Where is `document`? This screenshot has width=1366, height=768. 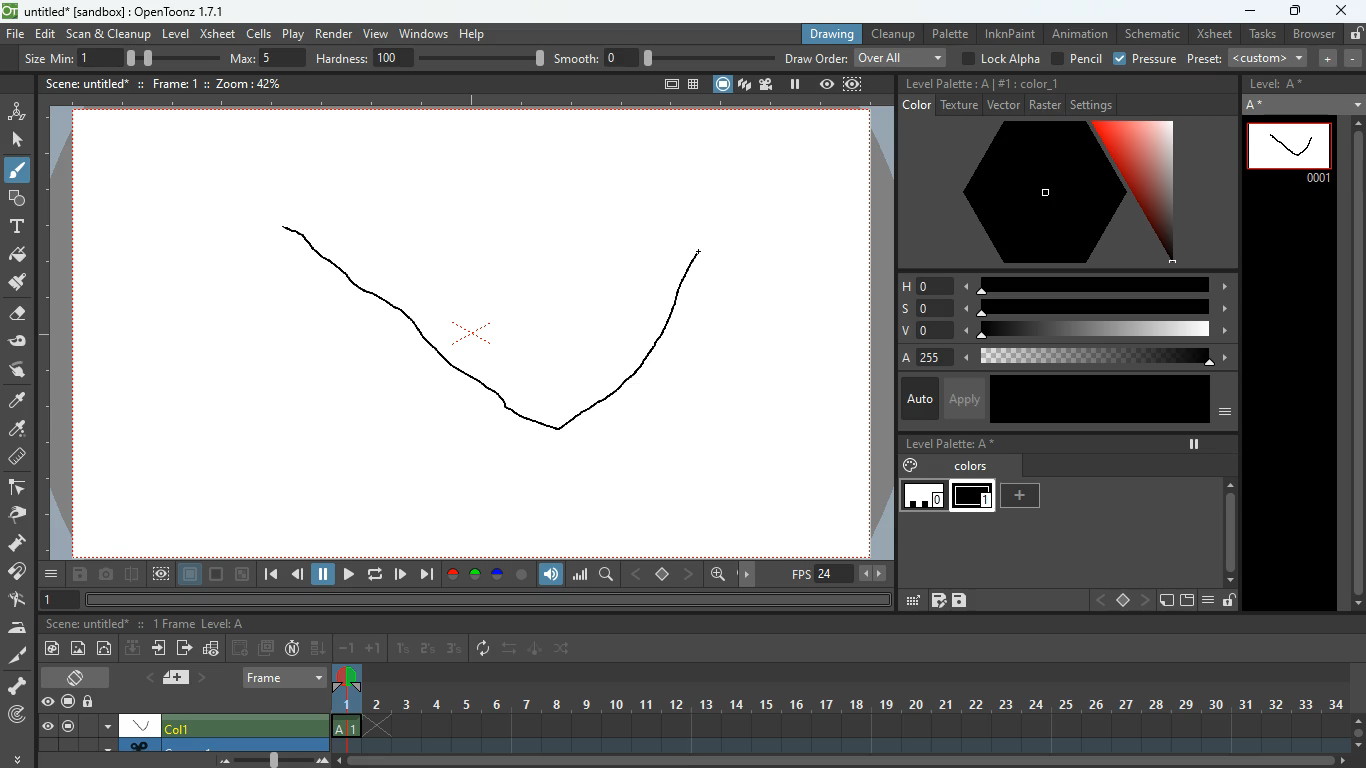 document is located at coordinates (1185, 601).